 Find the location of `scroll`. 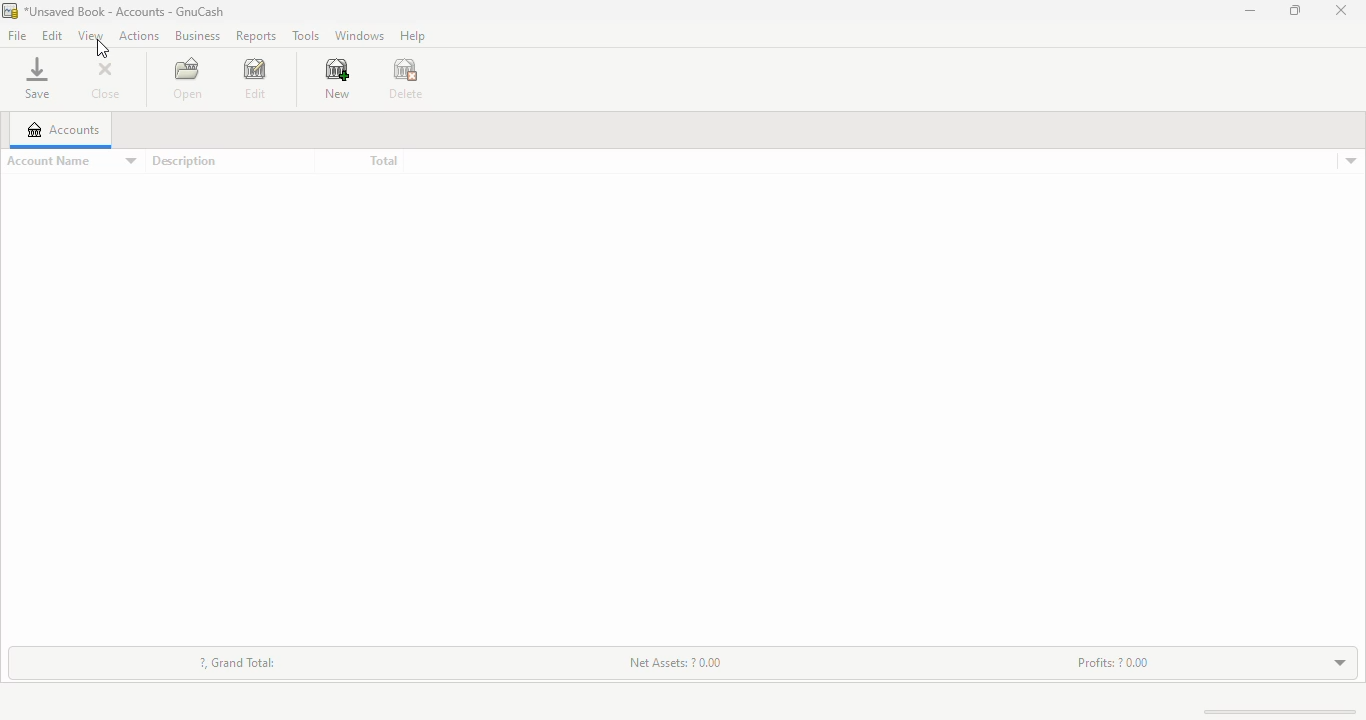

scroll is located at coordinates (1269, 711).